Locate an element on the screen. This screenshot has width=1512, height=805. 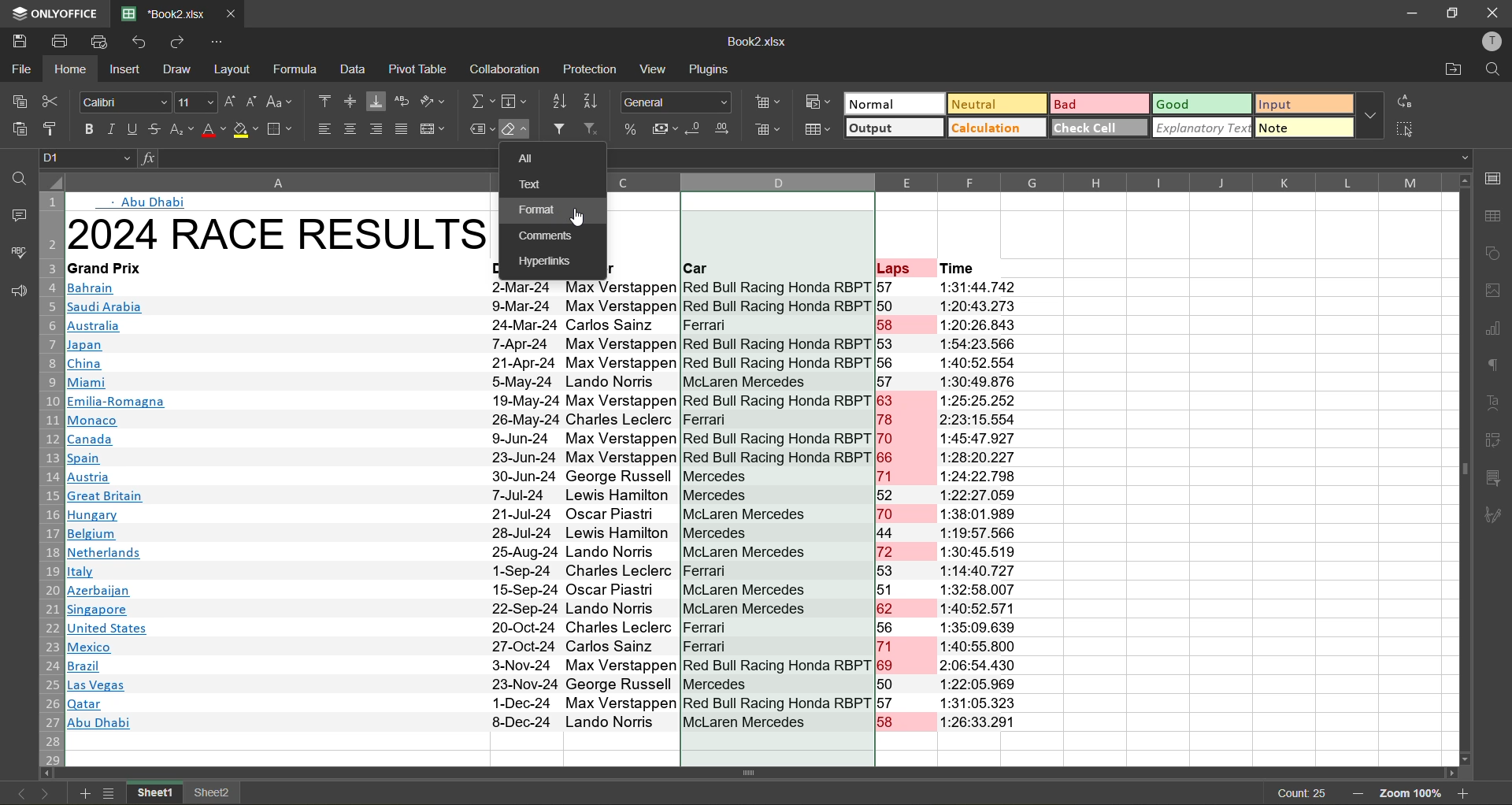
| Miami 55-May-24 Lando Norris McLaren Mercedes 57 1:30:49.876 is located at coordinates (549, 382).